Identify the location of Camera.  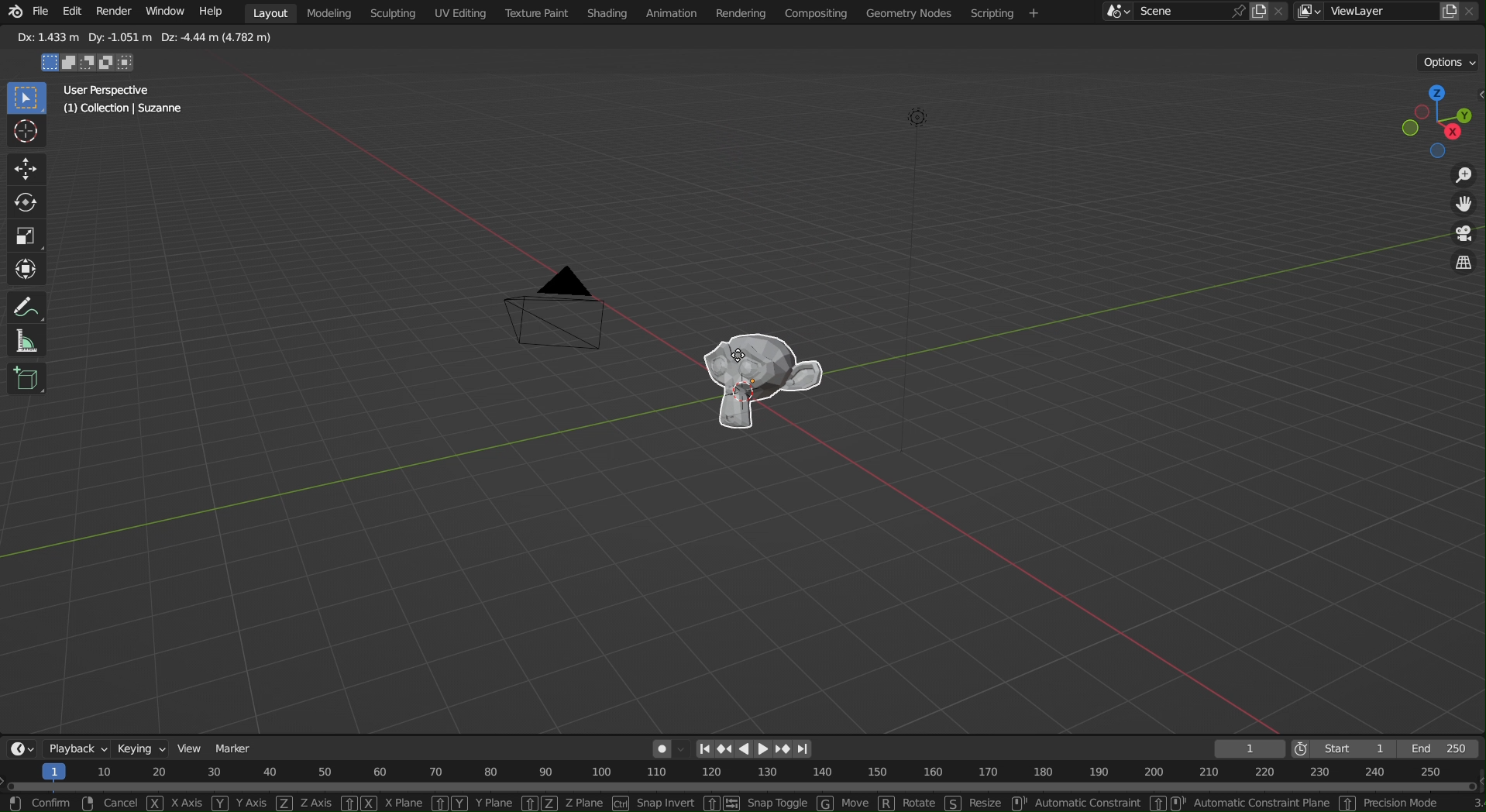
(557, 309).